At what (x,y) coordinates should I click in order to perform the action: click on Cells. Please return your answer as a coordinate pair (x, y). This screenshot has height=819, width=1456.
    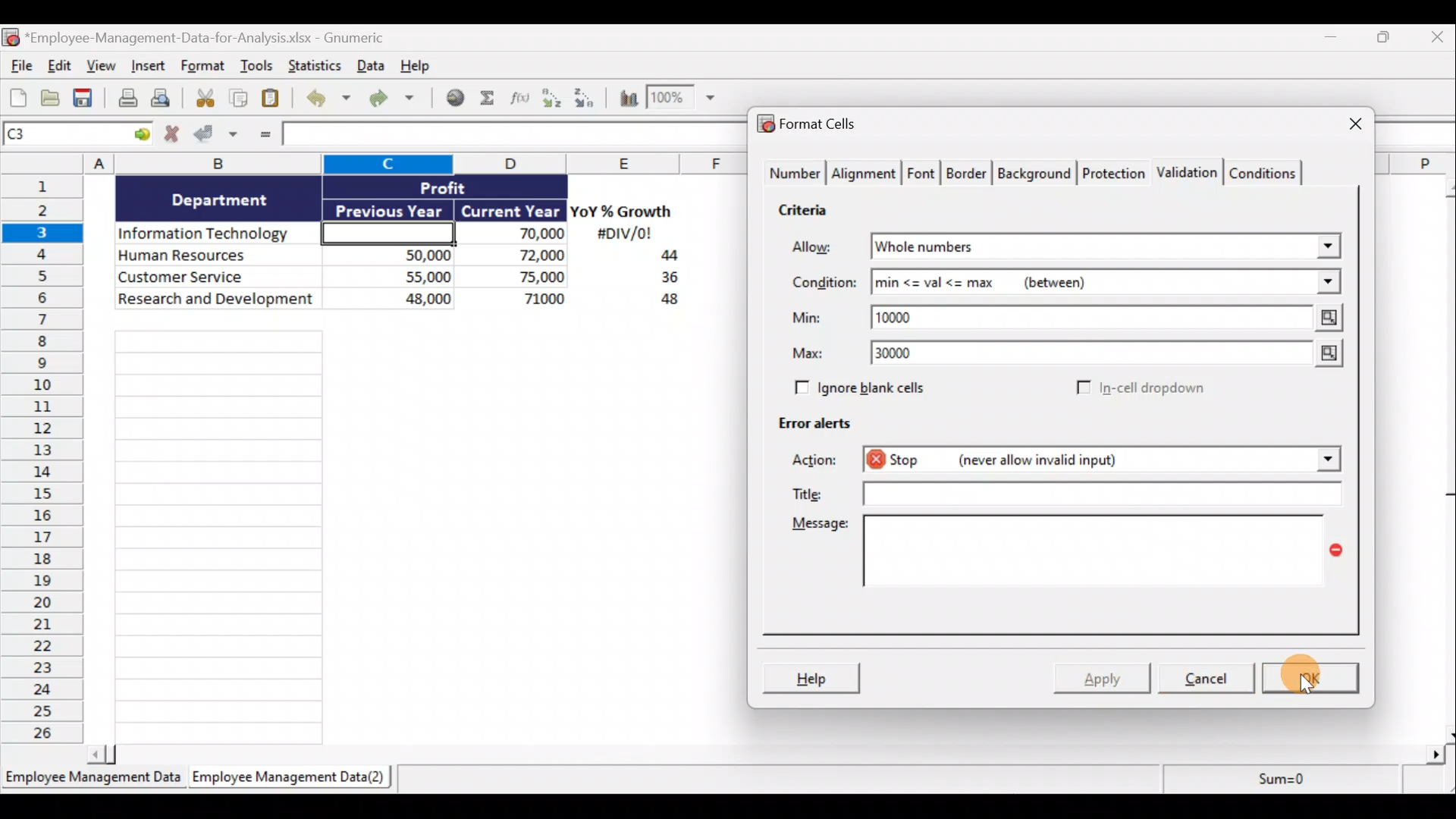
    Looking at the image, I should click on (408, 531).